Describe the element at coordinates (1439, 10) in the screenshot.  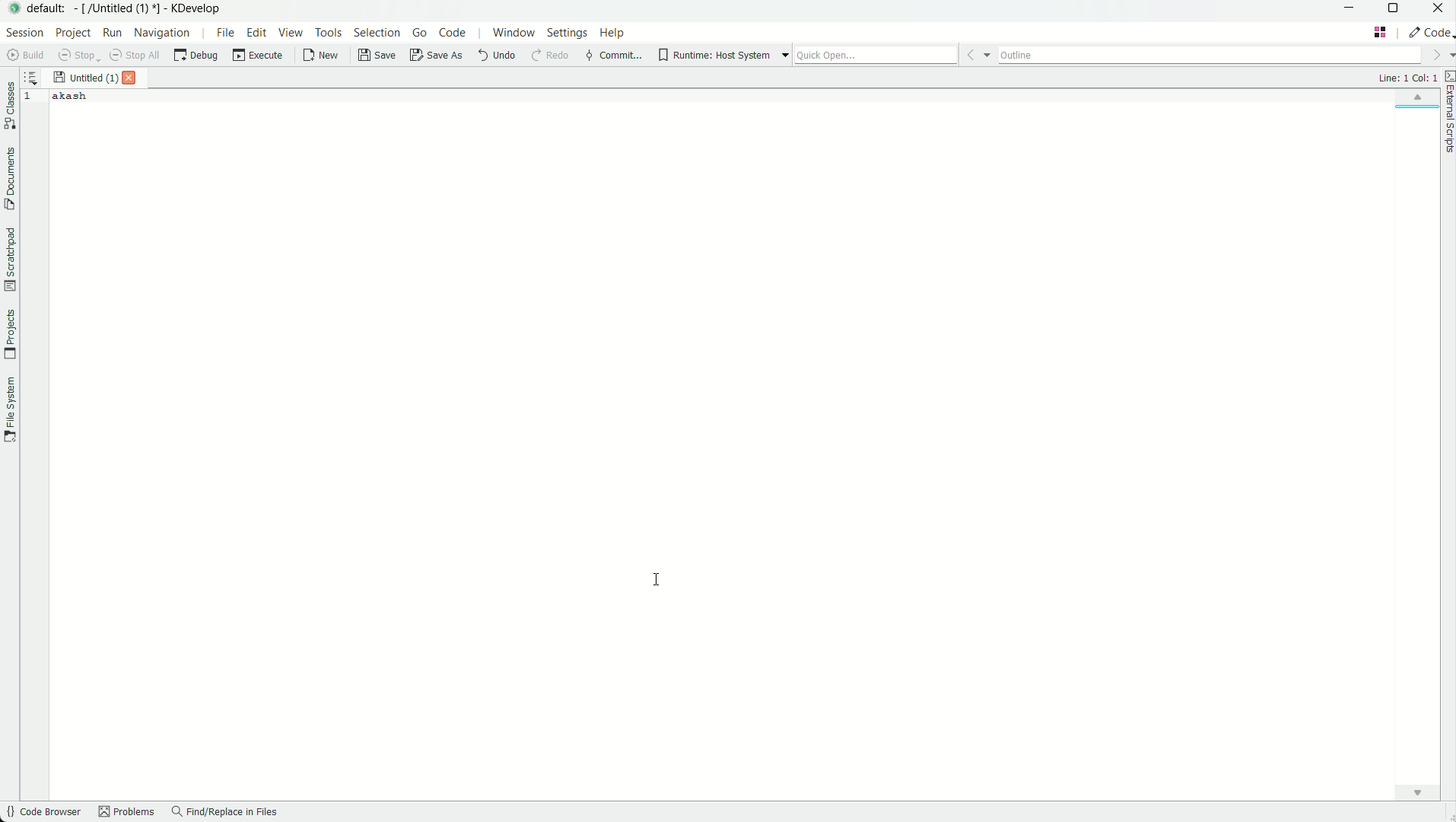
I see `close app` at that location.